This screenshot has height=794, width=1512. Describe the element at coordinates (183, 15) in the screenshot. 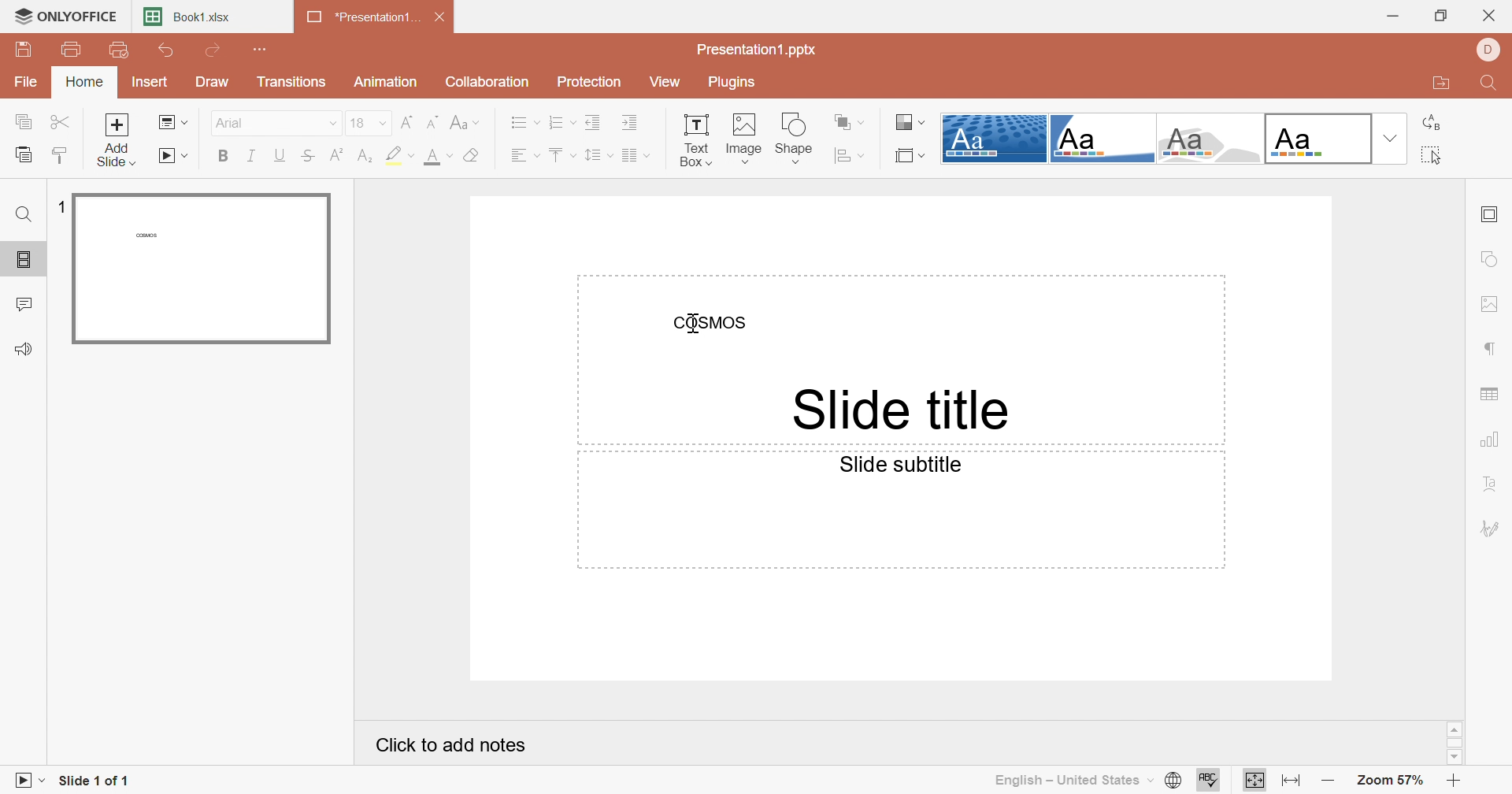

I see `Book1.xlsx` at that location.